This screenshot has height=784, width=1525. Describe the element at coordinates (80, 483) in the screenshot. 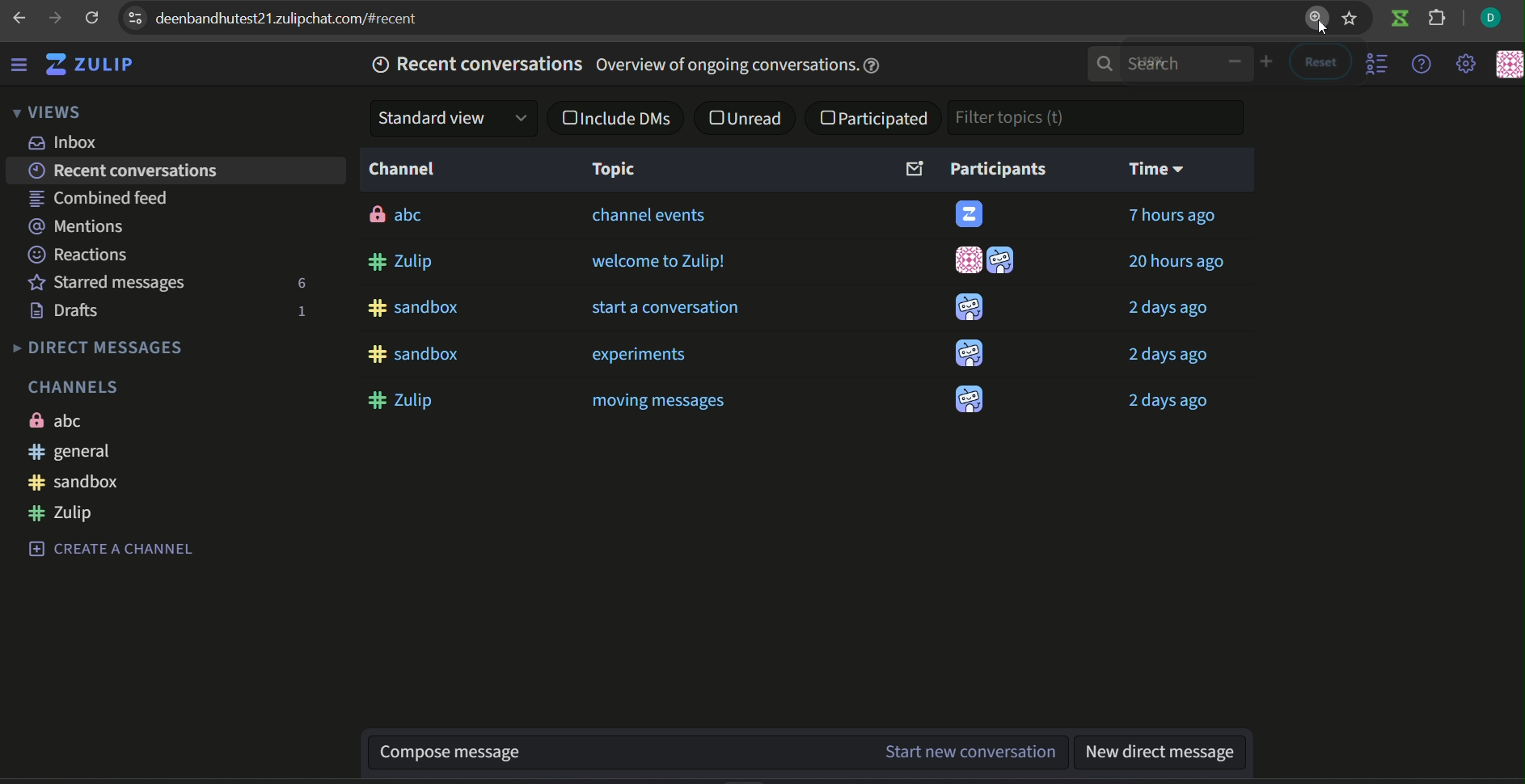

I see `#sandbox` at that location.